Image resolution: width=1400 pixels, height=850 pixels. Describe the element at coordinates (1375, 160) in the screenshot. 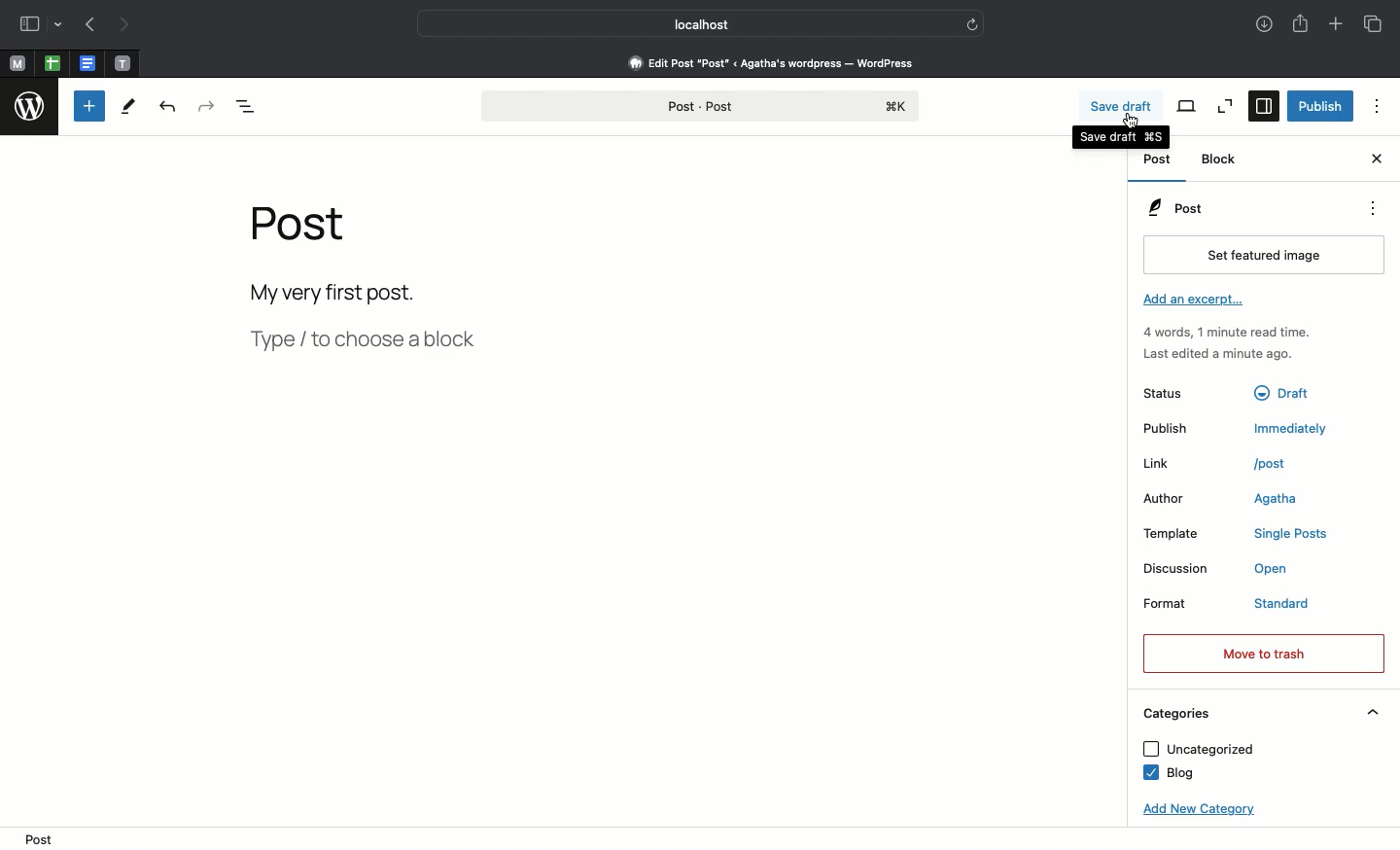

I see `Close` at that location.